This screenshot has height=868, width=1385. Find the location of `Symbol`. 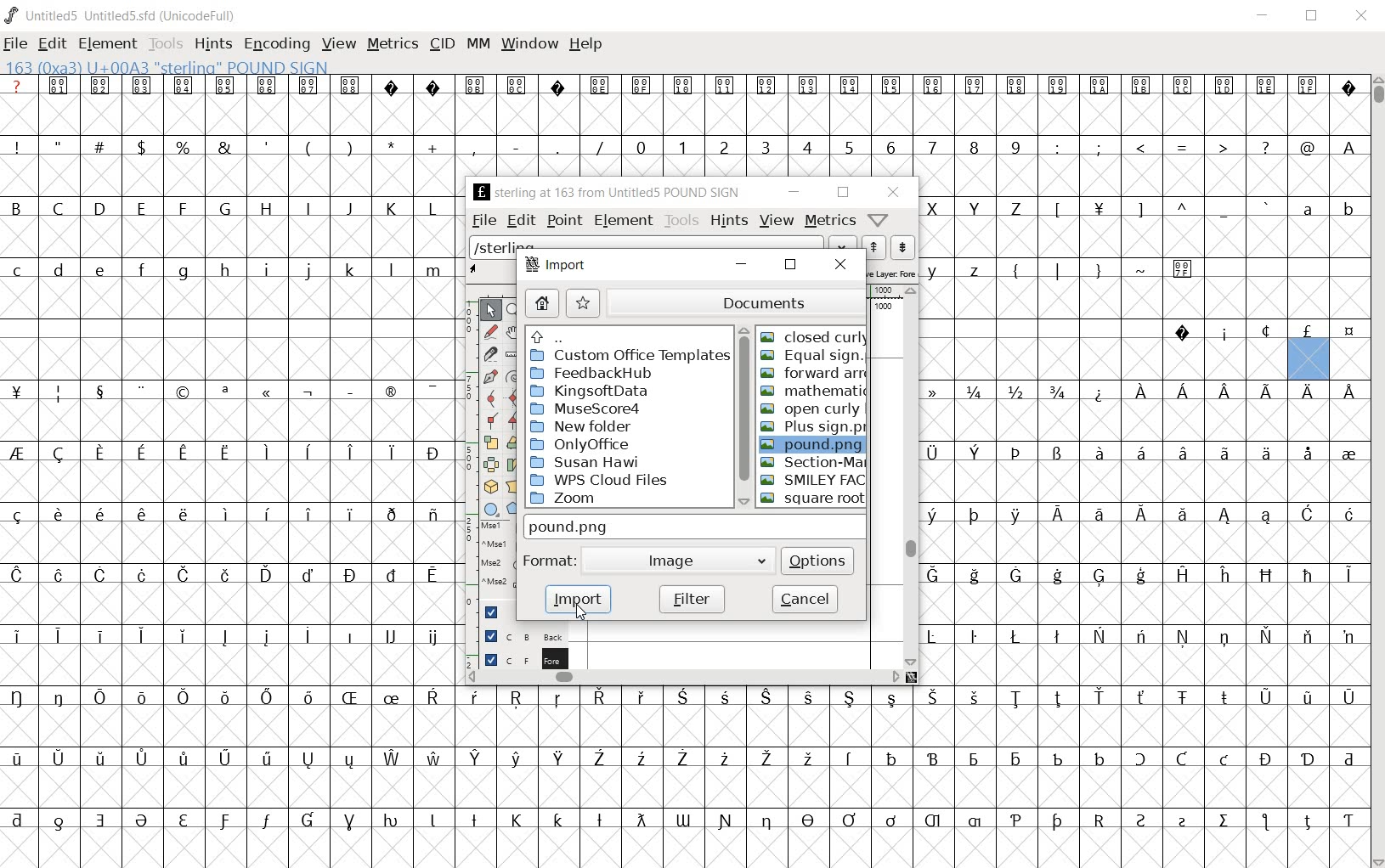

Symbol is located at coordinates (308, 392).